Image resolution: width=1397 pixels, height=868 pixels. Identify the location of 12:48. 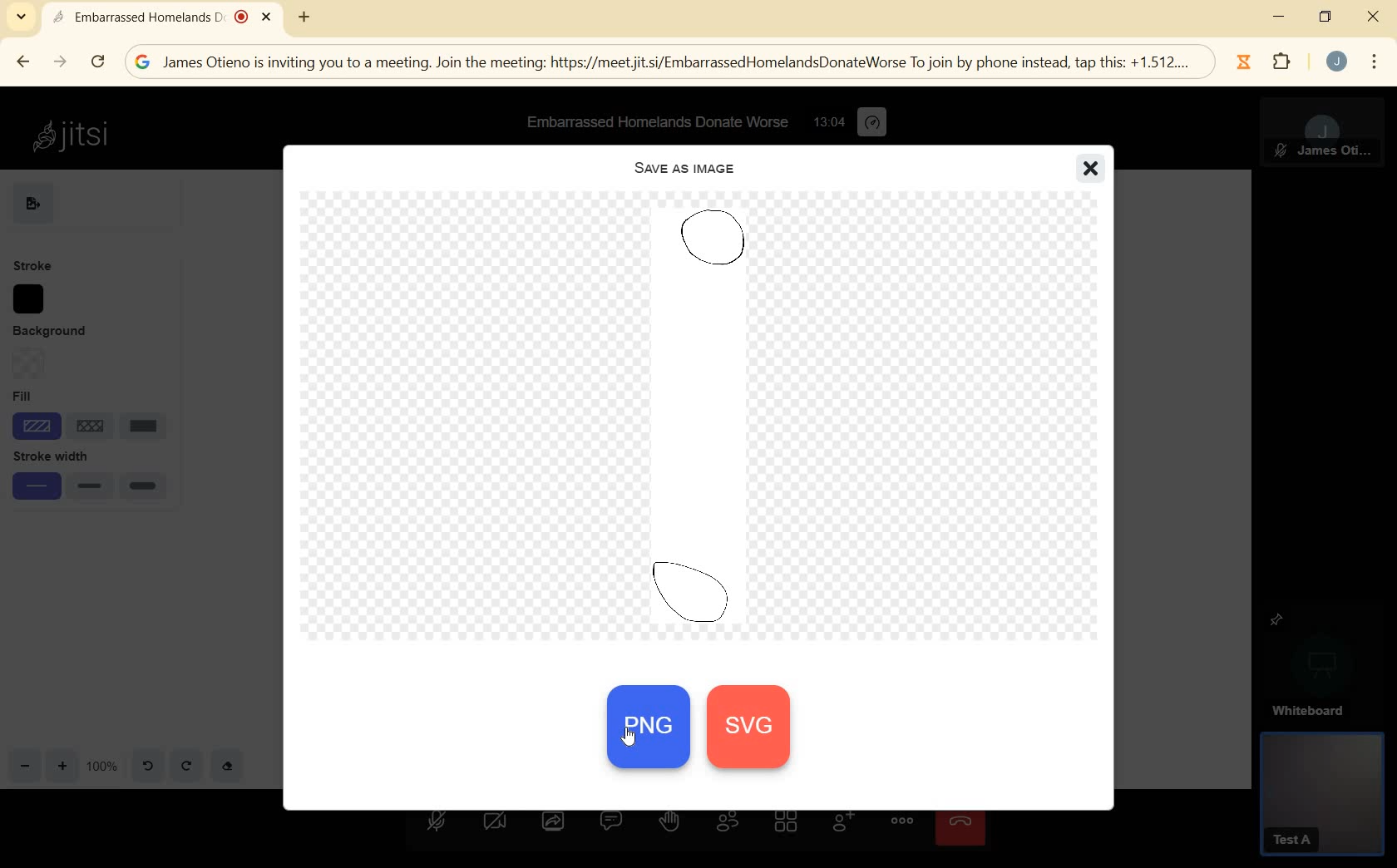
(827, 123).